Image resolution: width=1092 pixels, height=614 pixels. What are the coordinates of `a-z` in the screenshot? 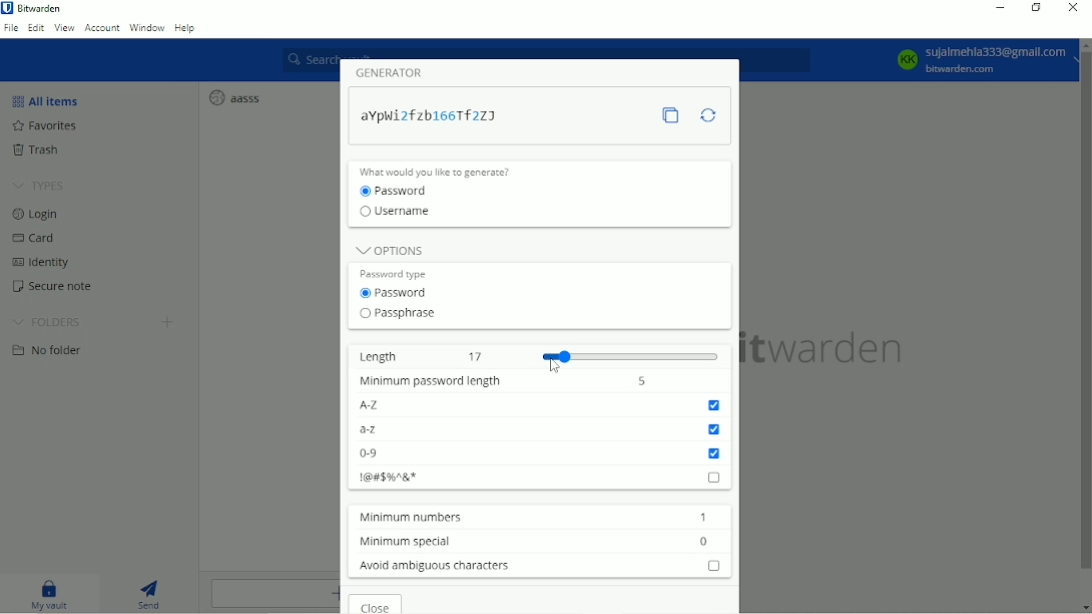 It's located at (540, 429).